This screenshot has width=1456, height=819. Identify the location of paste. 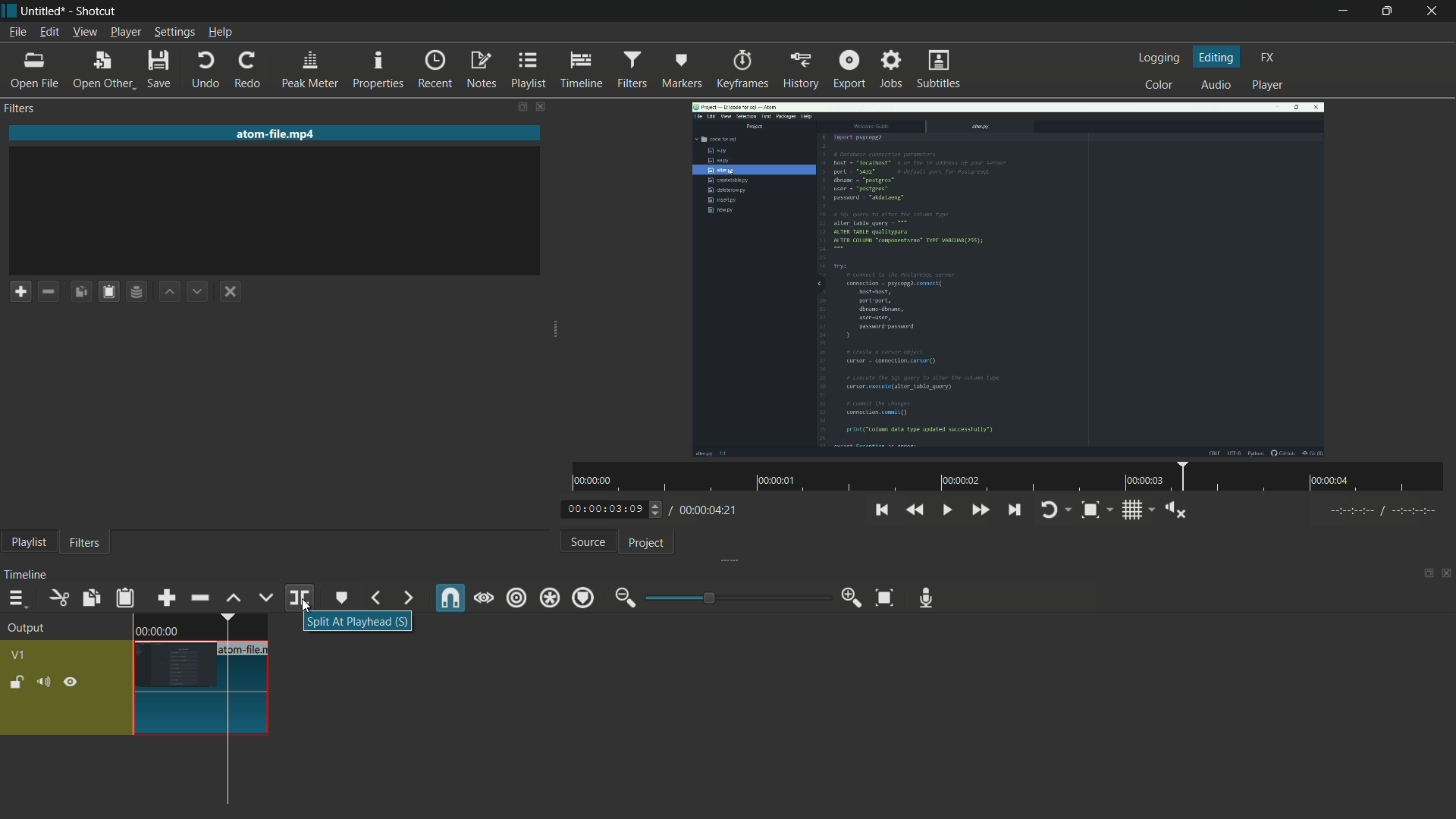
(126, 598).